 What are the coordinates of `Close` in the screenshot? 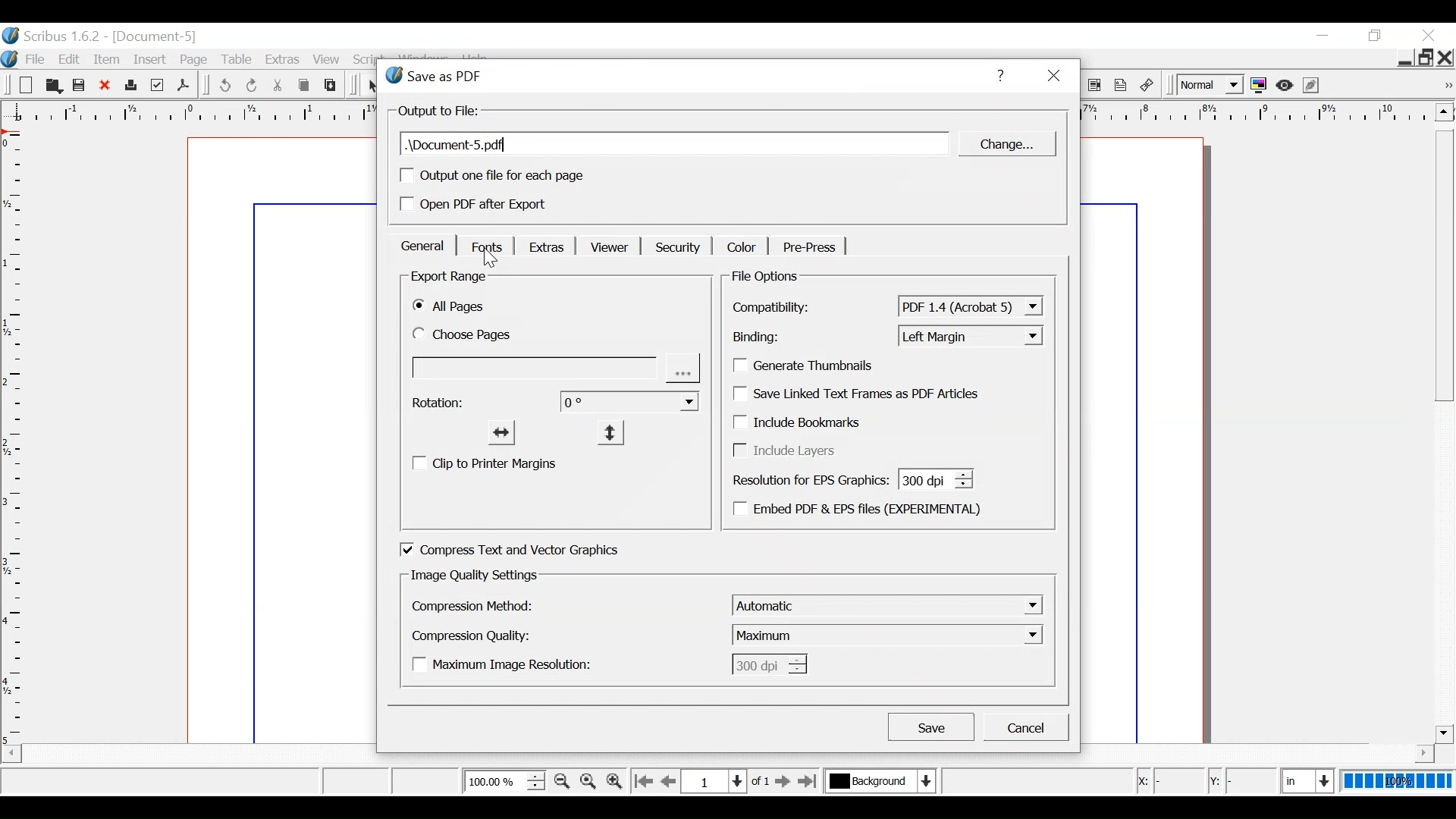 It's located at (105, 86).